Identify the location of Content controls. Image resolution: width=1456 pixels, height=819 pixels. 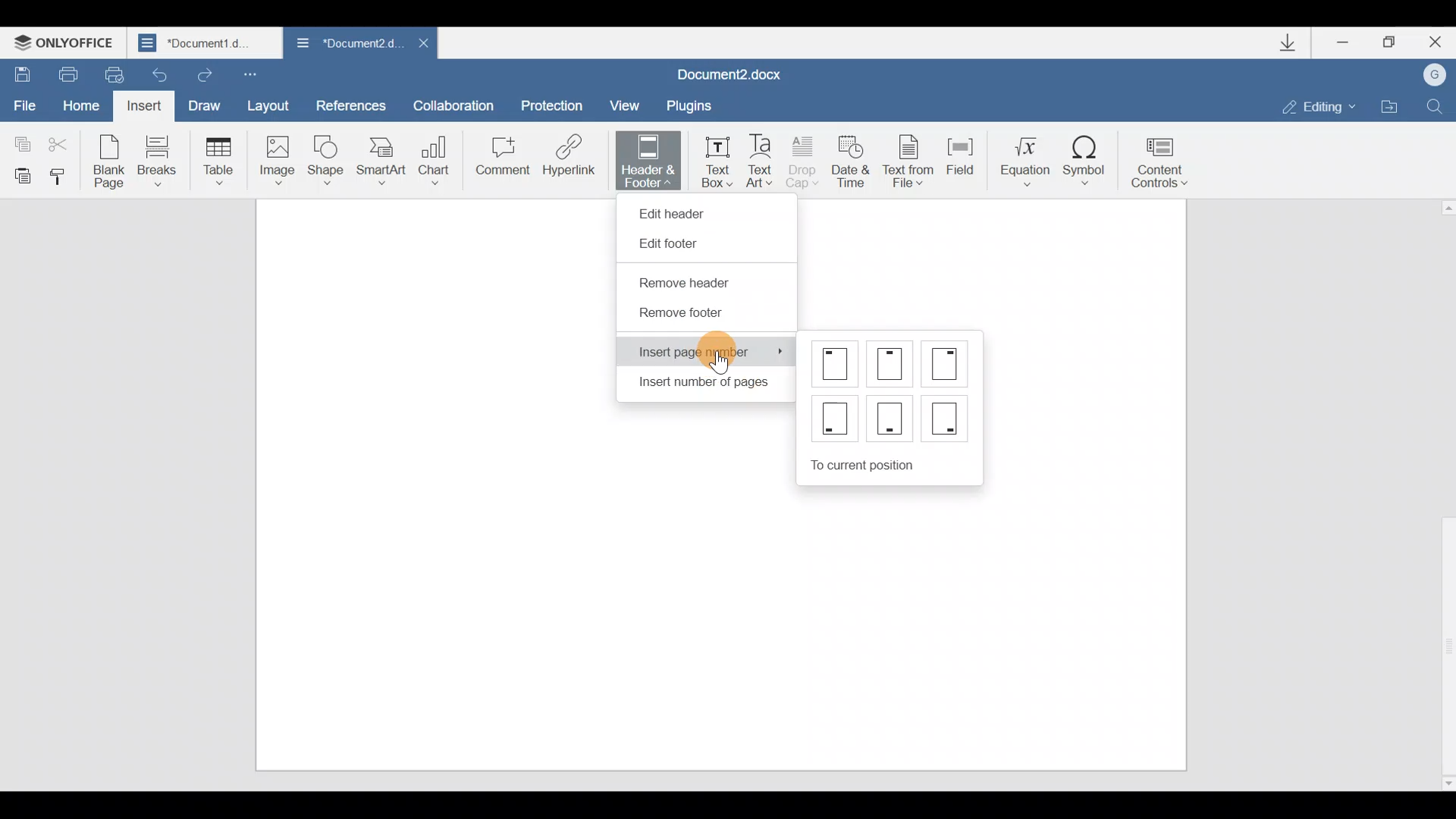
(1168, 158).